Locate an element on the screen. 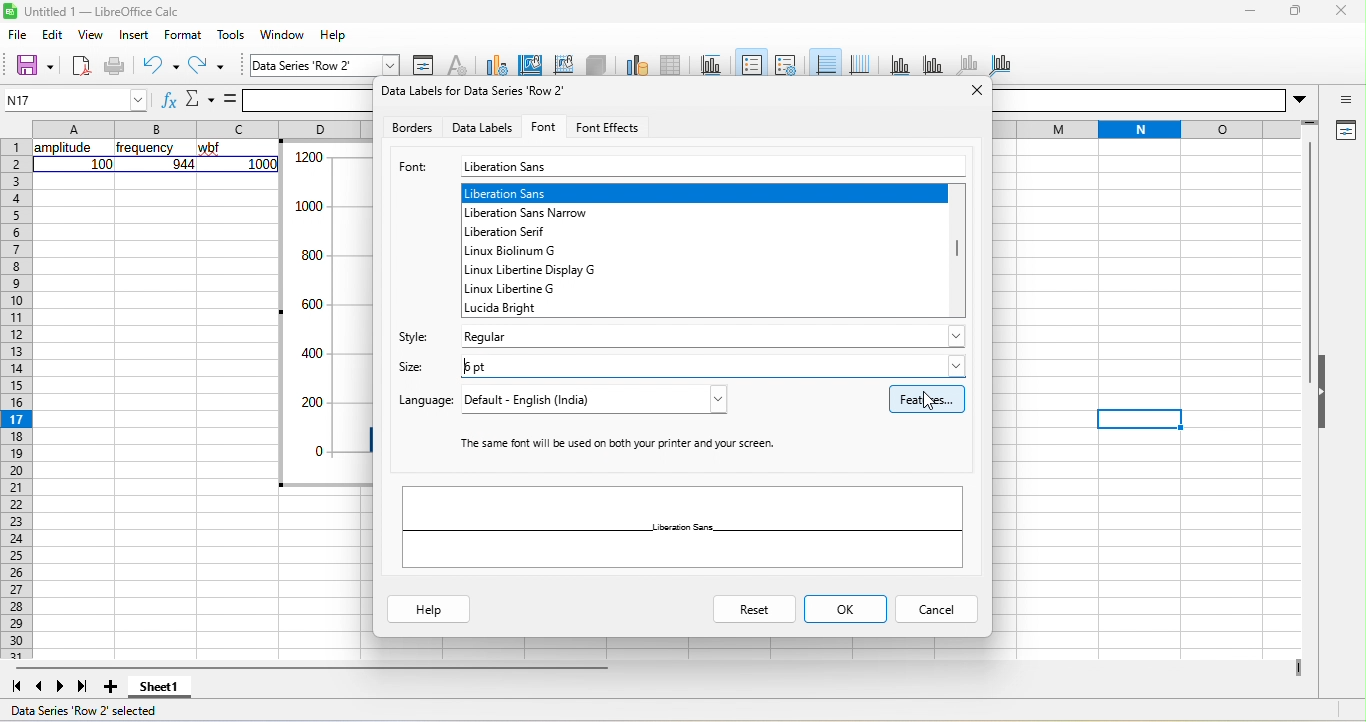 This screenshot has width=1366, height=722. first sheet is located at coordinates (17, 687).